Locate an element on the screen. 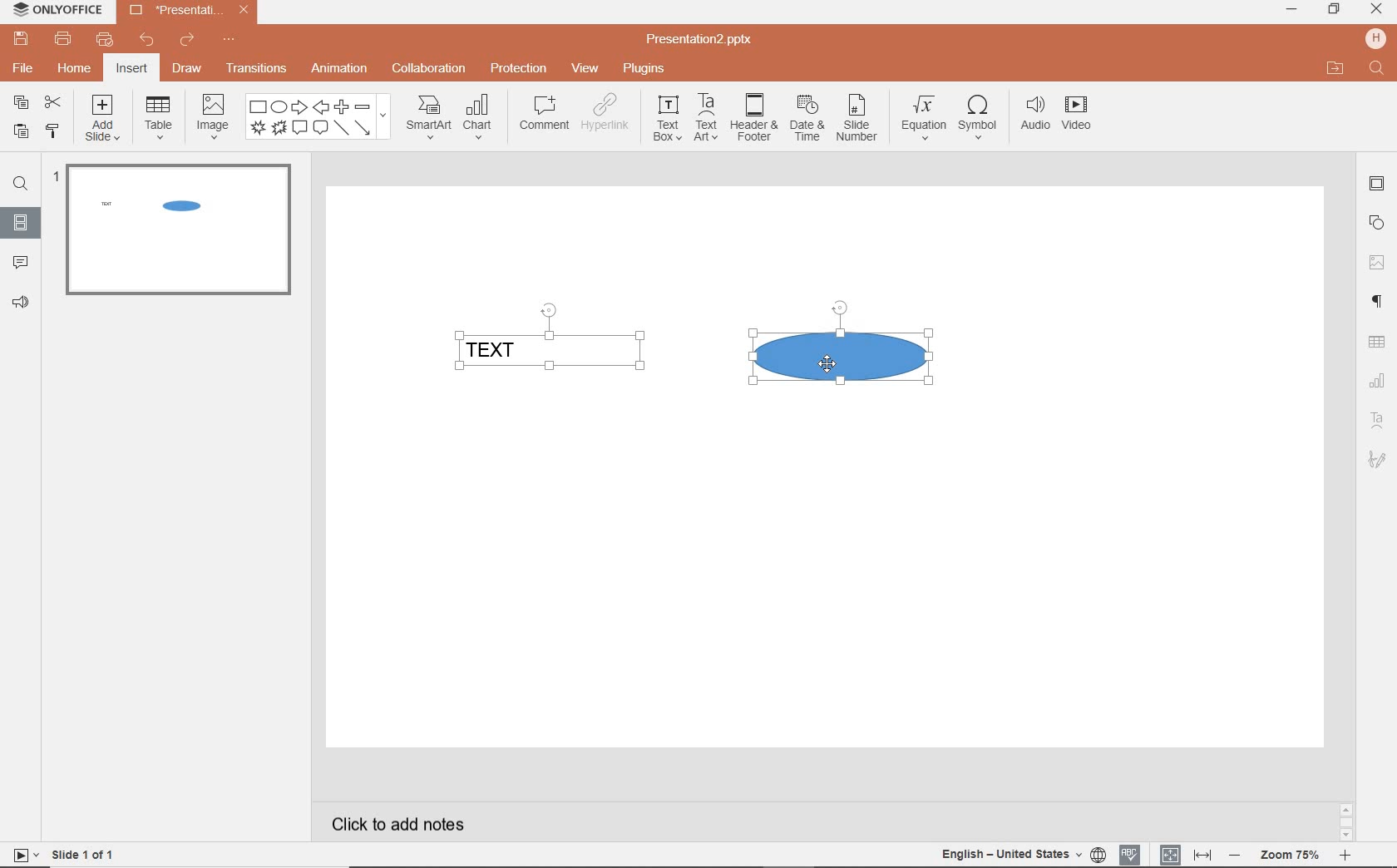 The height and width of the screenshot is (868, 1397). insert is located at coordinates (133, 69).